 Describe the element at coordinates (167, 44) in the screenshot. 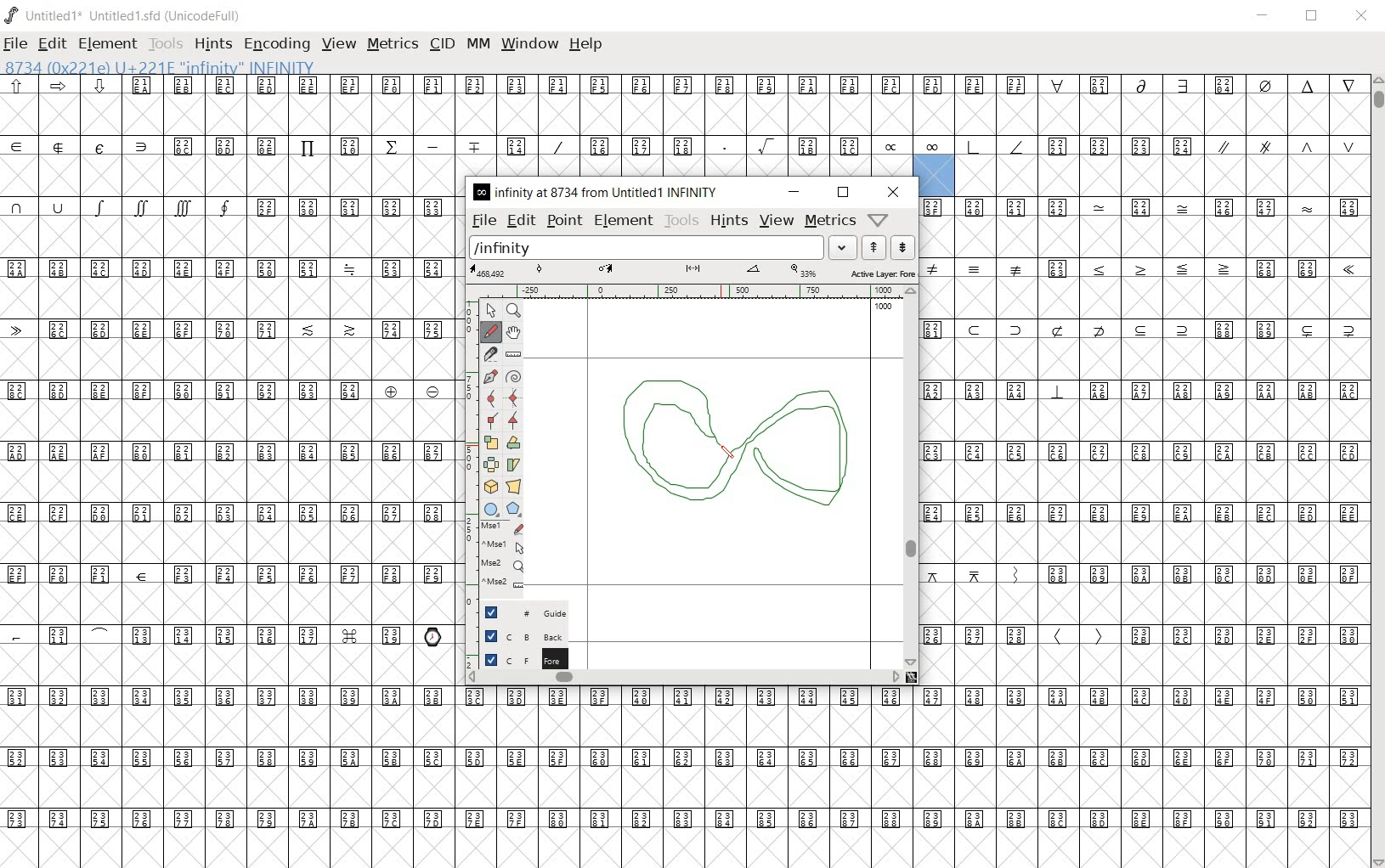

I see `tools` at that location.